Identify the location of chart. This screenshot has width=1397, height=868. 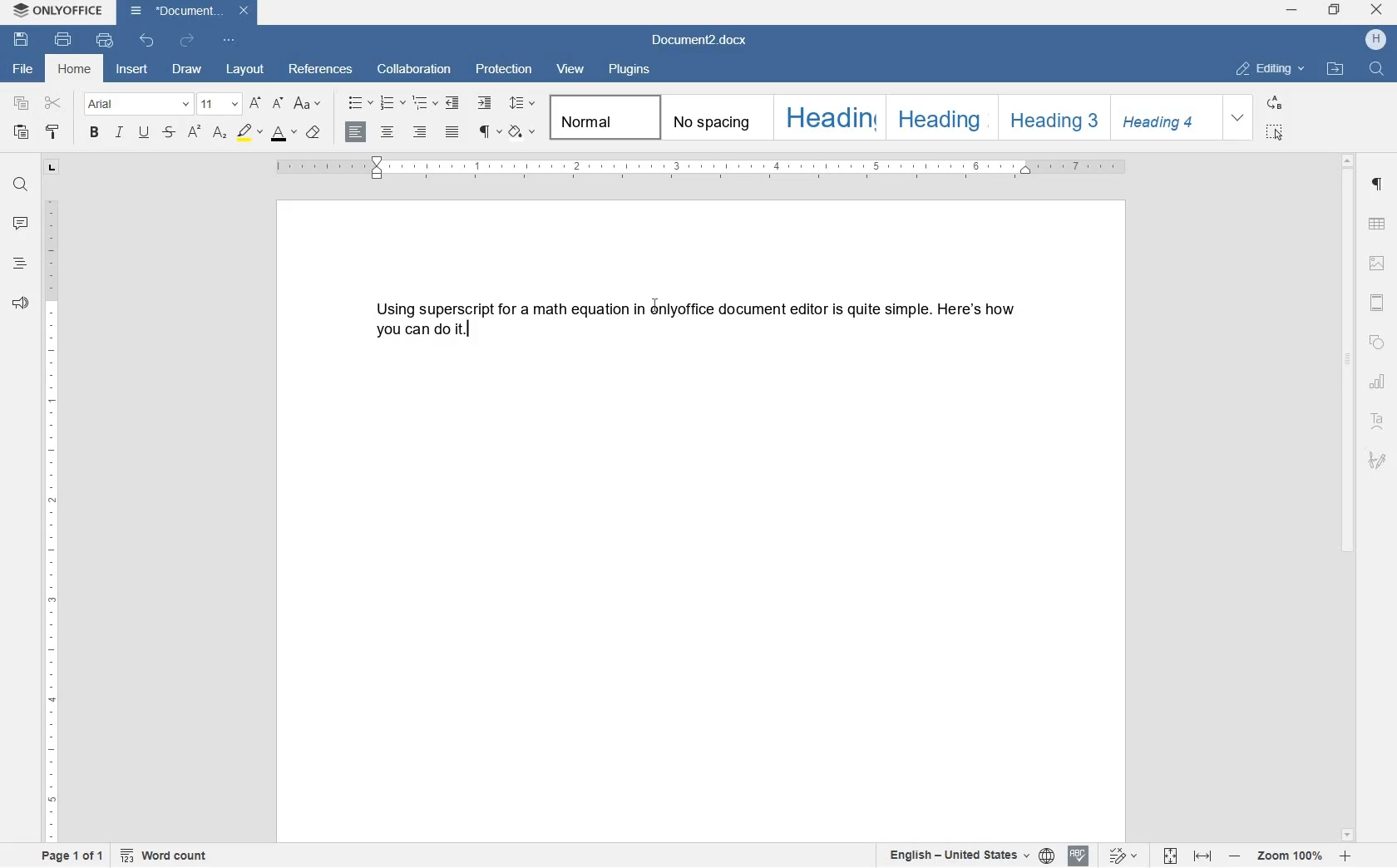
(1379, 382).